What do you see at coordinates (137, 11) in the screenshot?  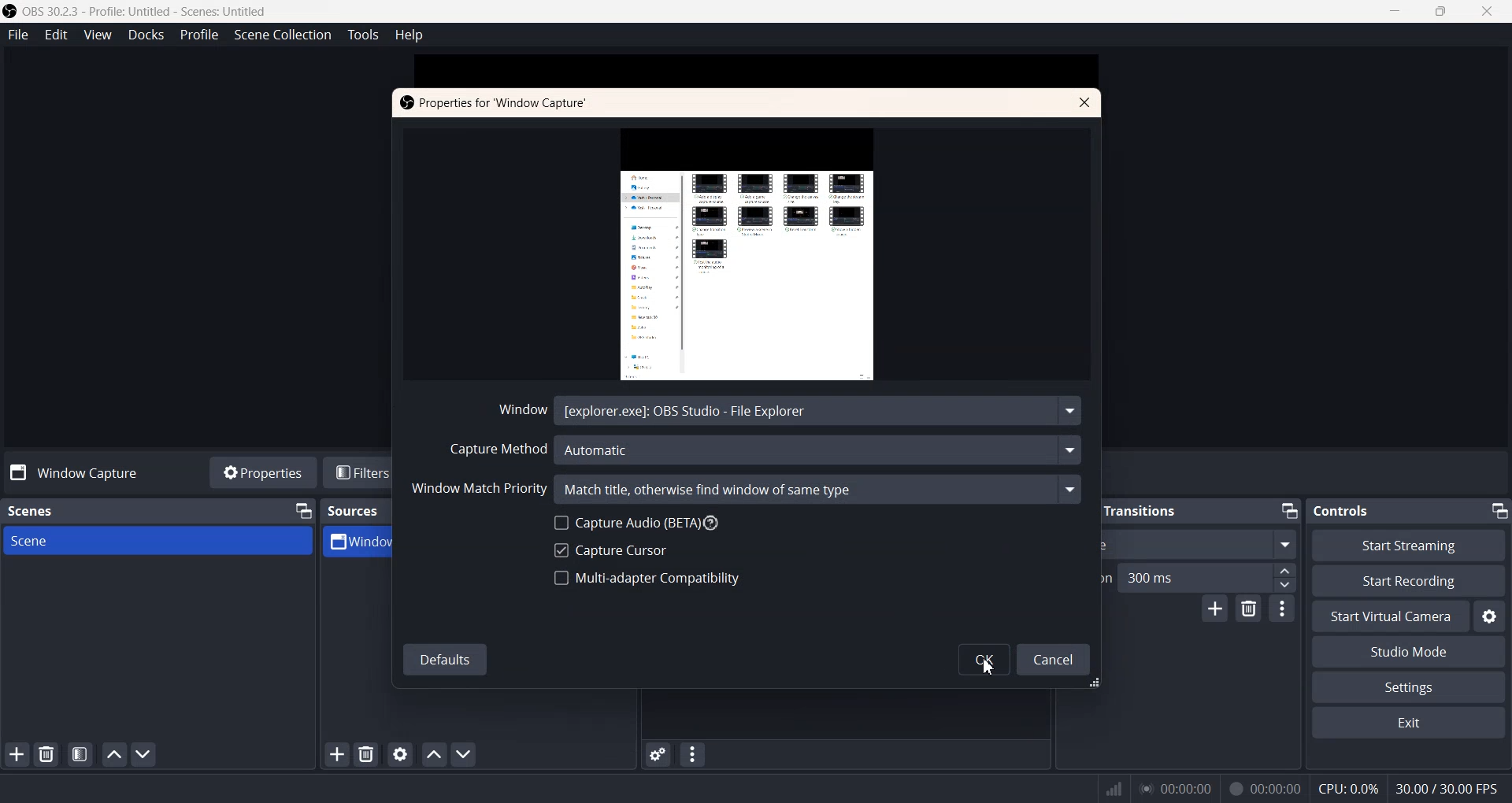 I see `‘OBS 30.2.3 - Profile: Untitled - Scenes: Untitled` at bounding box center [137, 11].